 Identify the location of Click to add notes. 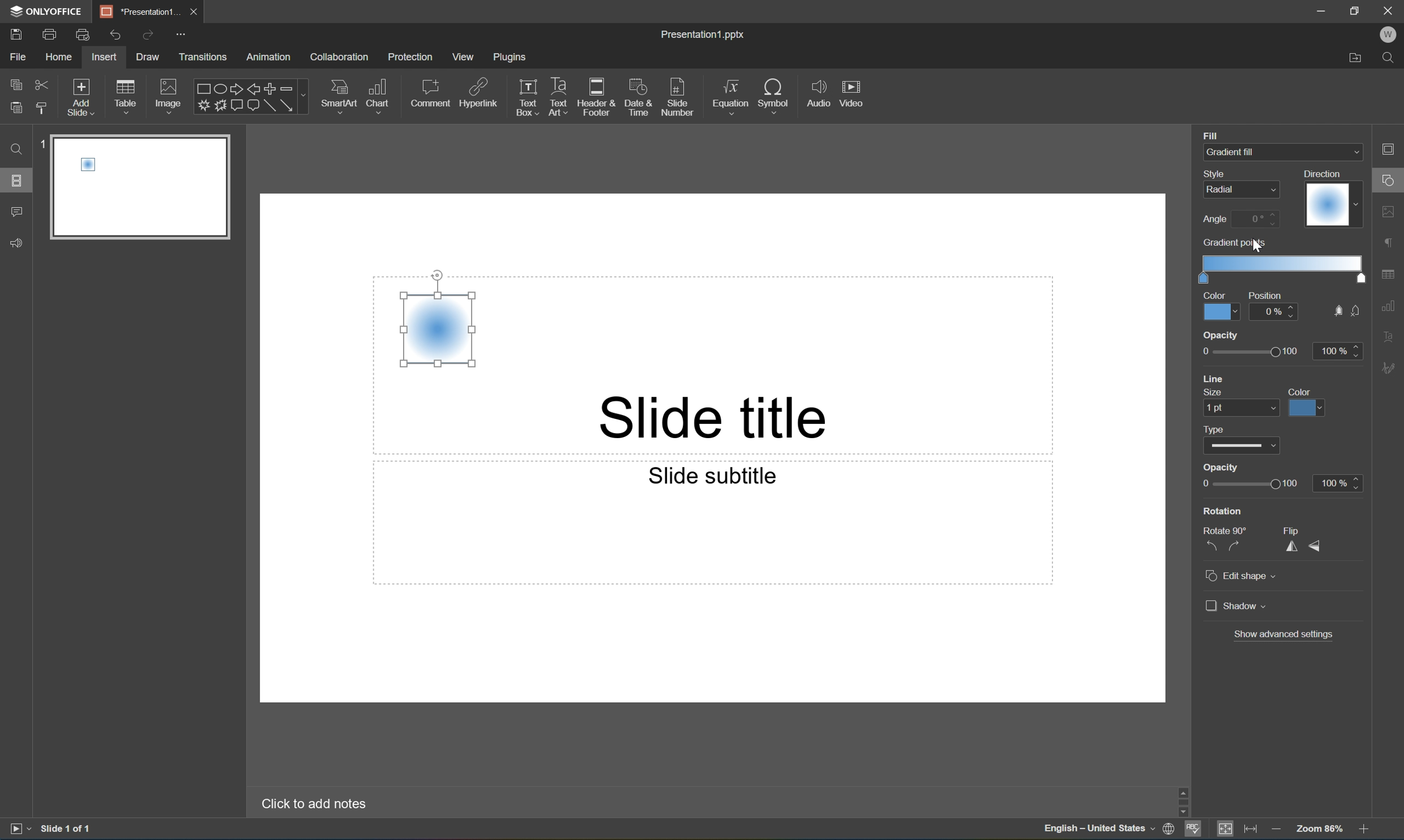
(318, 804).